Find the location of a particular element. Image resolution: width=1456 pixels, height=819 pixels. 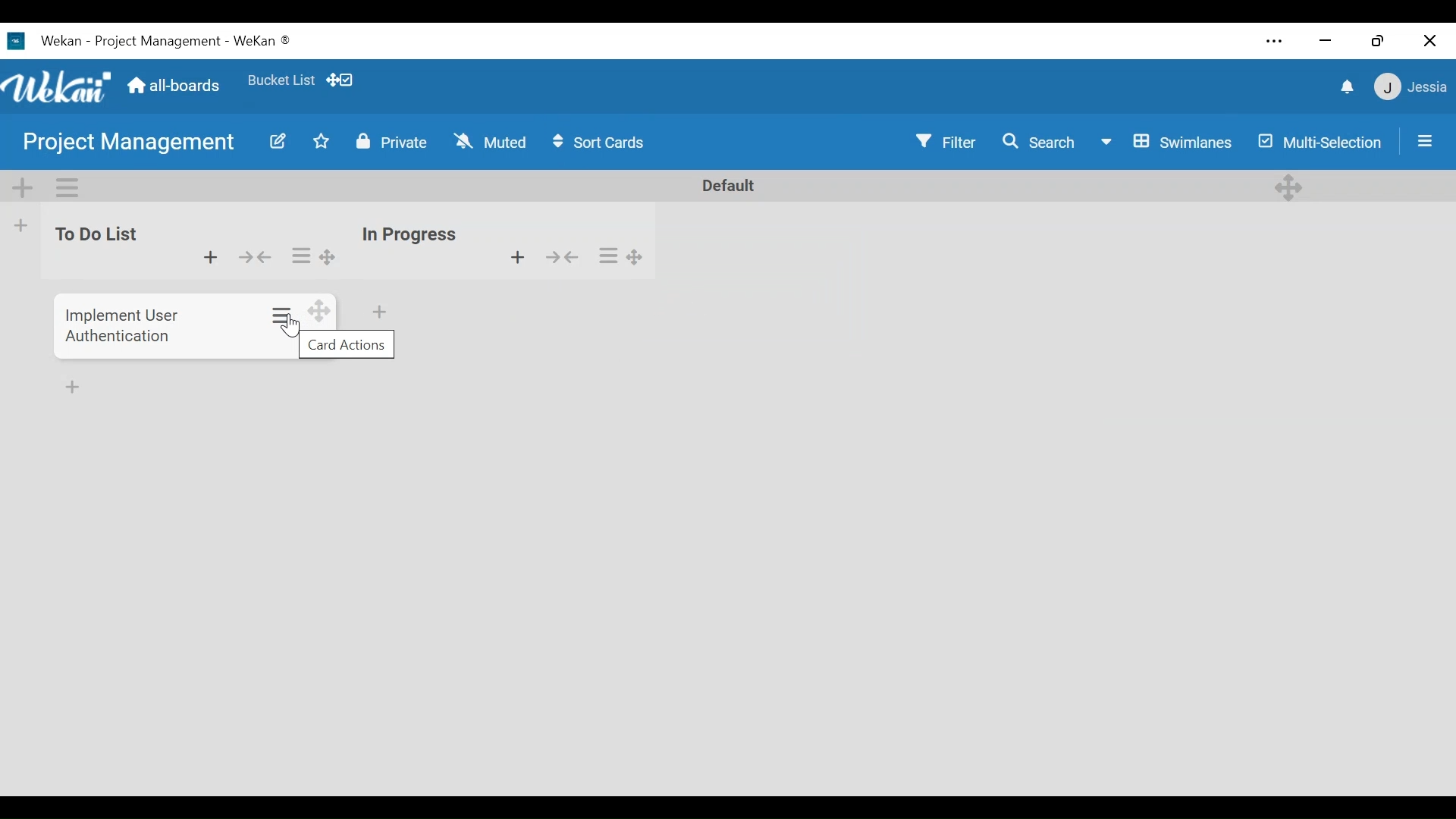

Filter is located at coordinates (946, 142).